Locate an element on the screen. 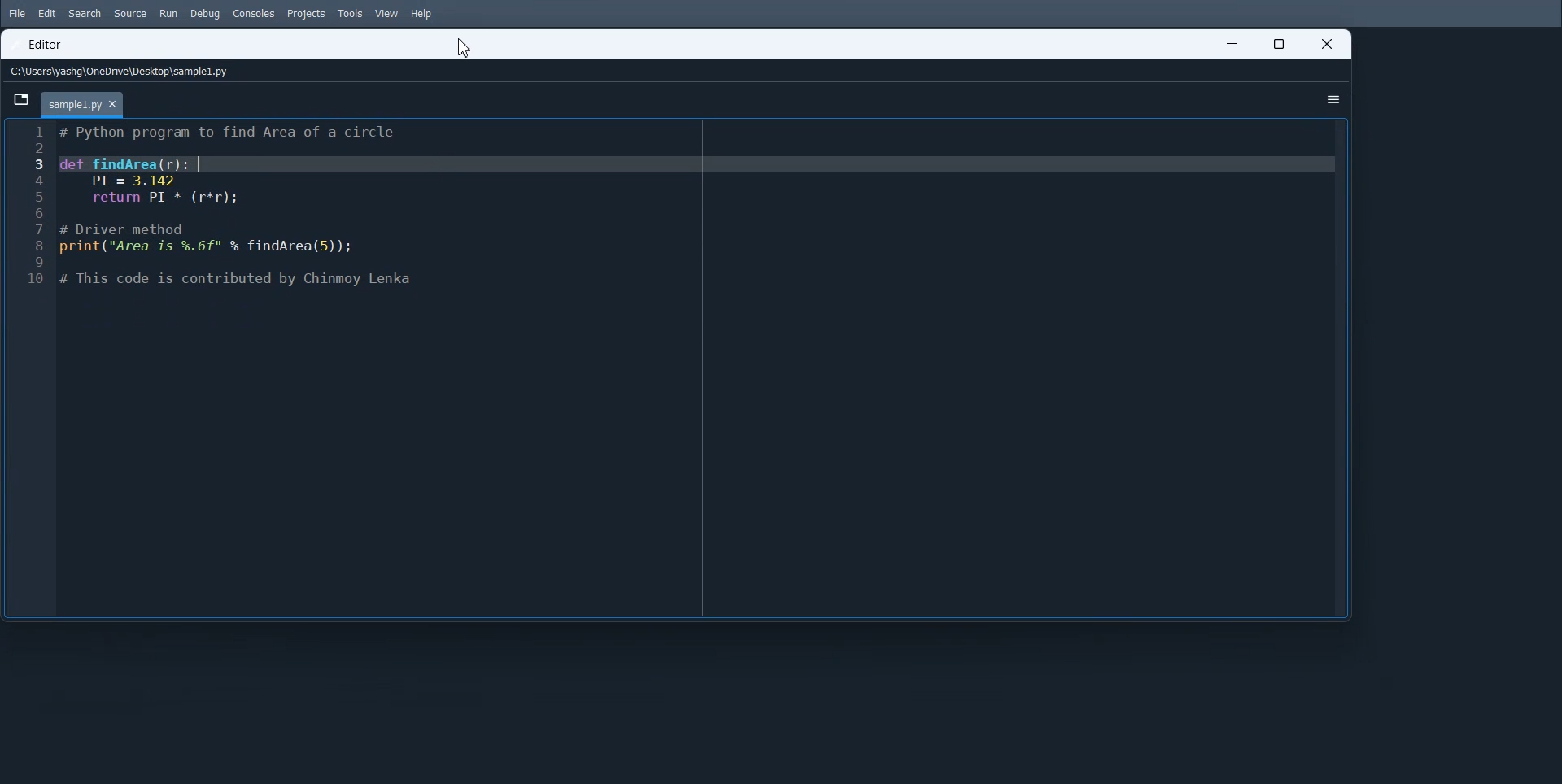  Line number is located at coordinates (28, 368).